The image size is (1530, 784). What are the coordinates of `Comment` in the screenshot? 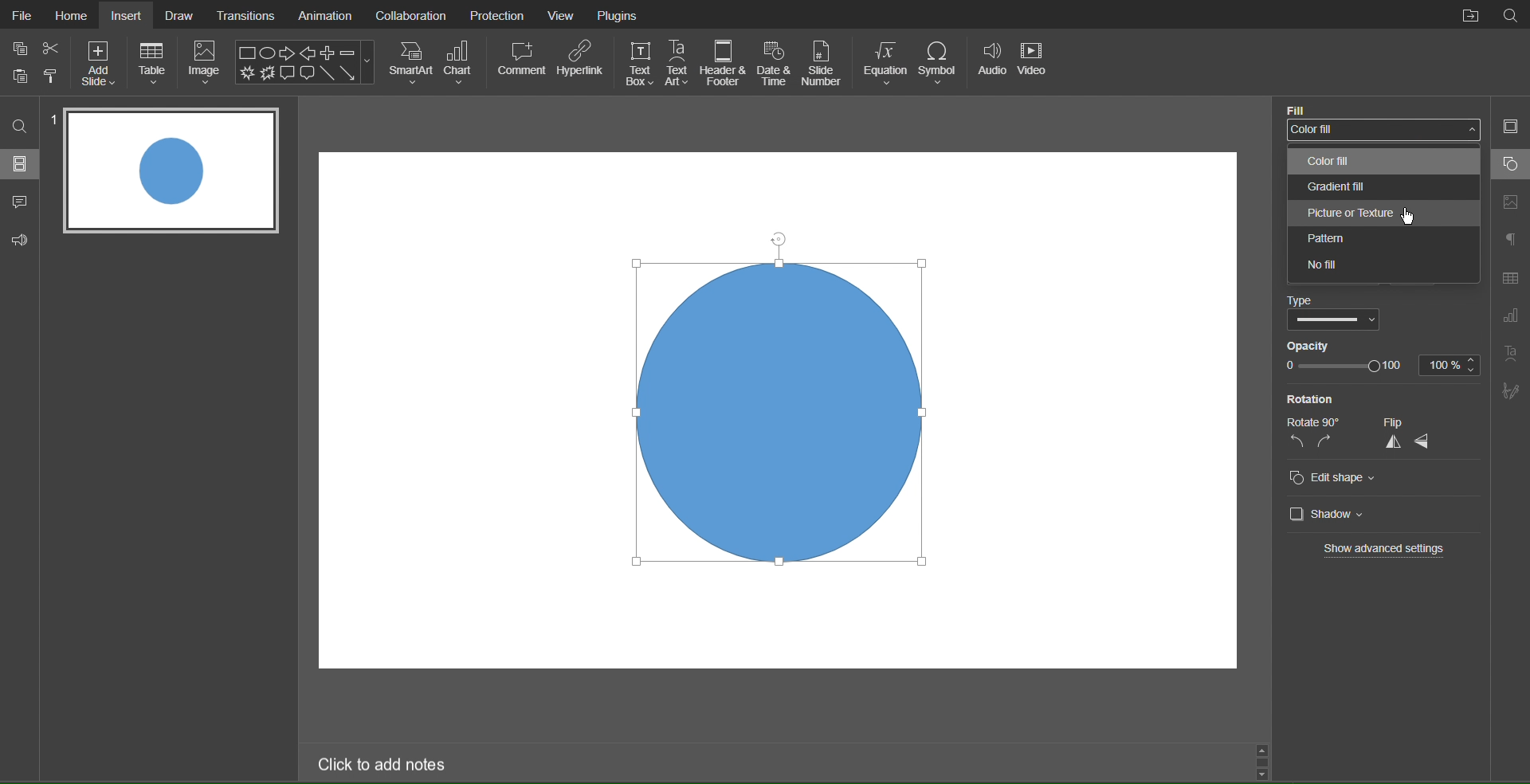 It's located at (521, 62).